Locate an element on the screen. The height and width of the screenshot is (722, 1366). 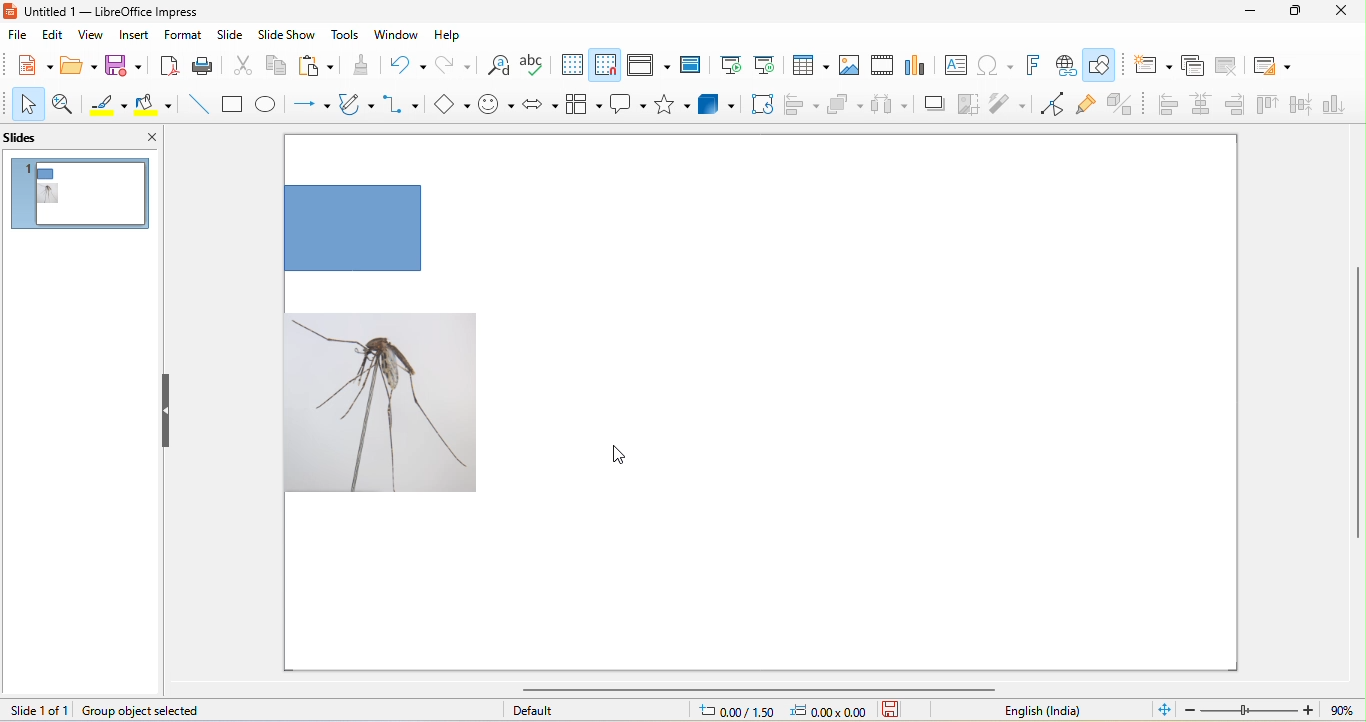
close is located at coordinates (1336, 13).